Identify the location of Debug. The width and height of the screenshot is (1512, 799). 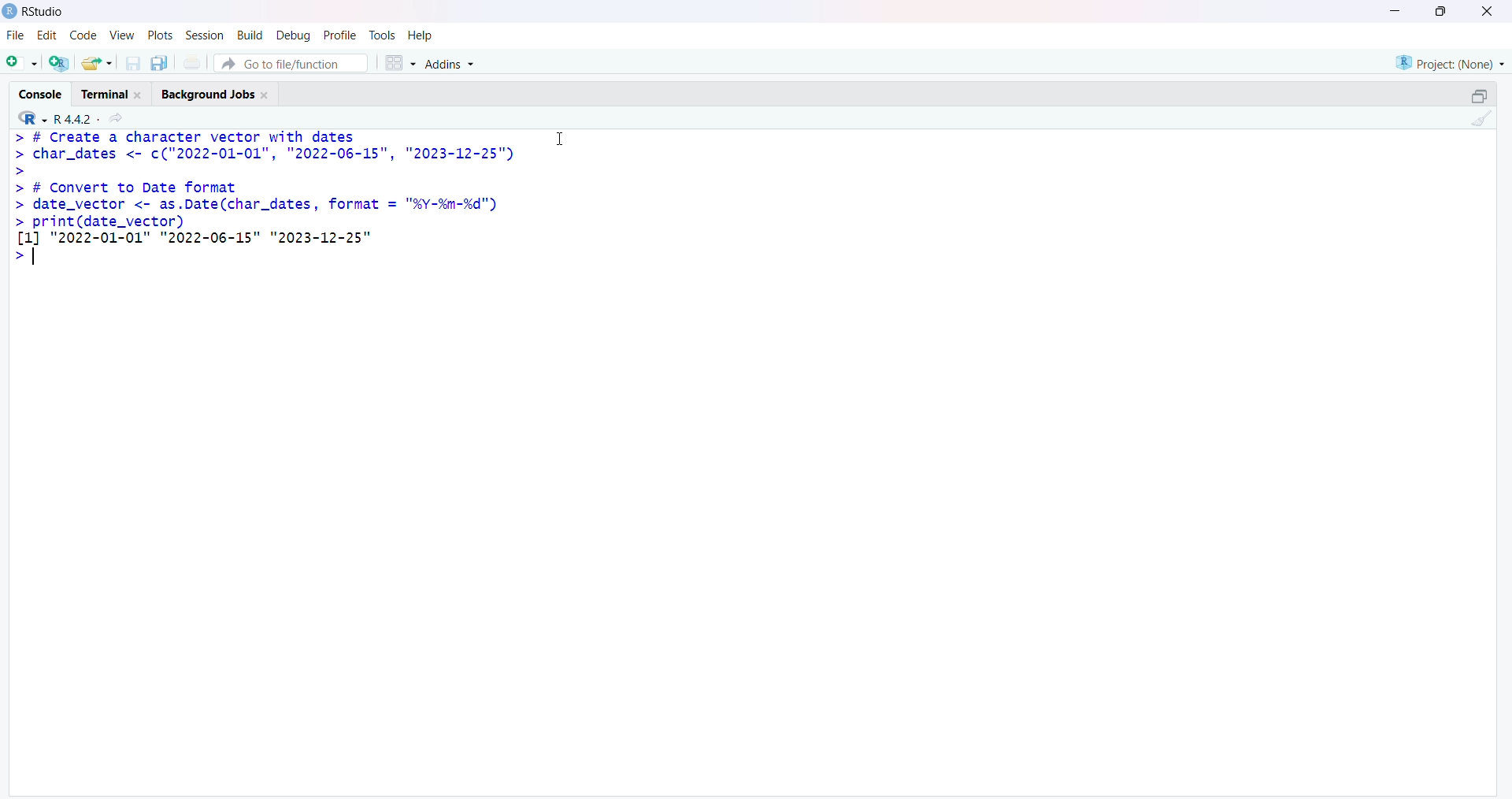
(292, 36).